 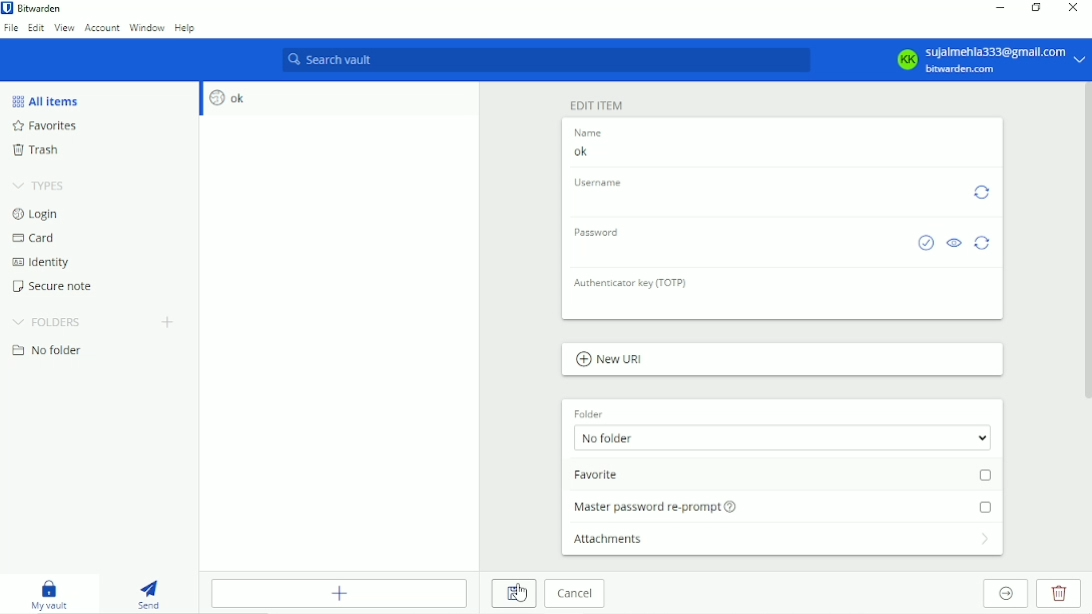 I want to click on select Folder, so click(x=783, y=439).